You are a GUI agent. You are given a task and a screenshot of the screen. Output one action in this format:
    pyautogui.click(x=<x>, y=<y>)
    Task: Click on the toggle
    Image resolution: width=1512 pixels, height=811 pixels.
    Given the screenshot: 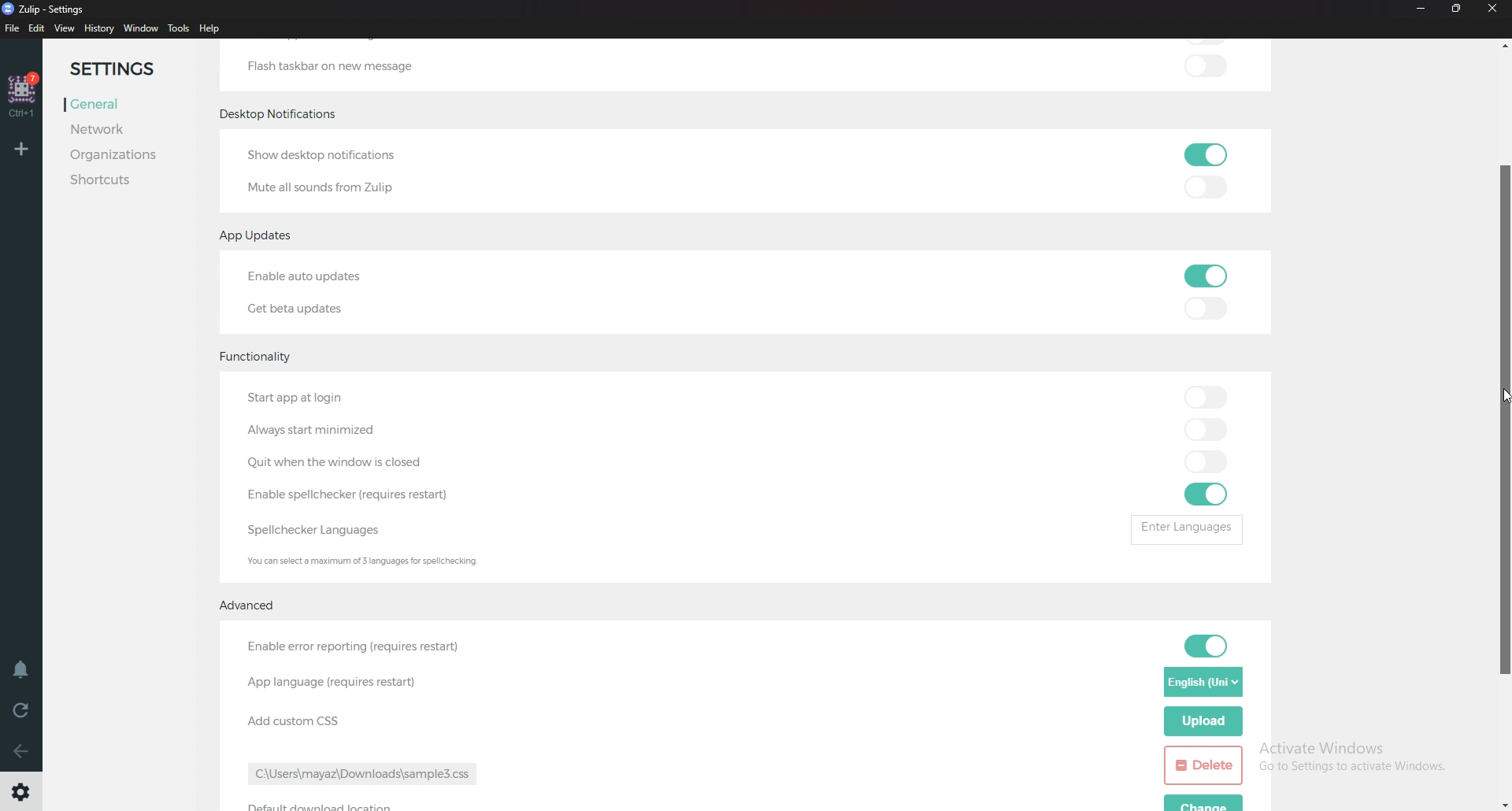 What is the action you would take?
    pyautogui.click(x=1205, y=187)
    